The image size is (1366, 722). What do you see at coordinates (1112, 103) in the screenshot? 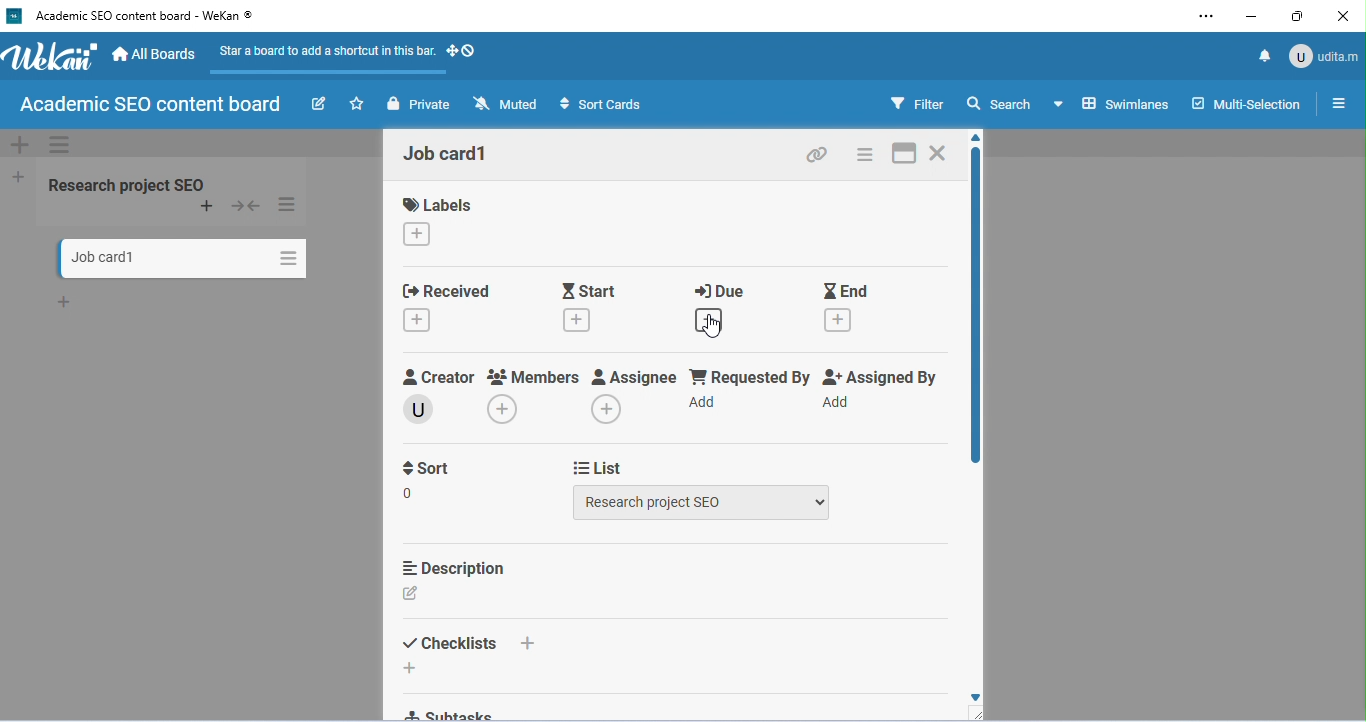
I see `board view` at bounding box center [1112, 103].